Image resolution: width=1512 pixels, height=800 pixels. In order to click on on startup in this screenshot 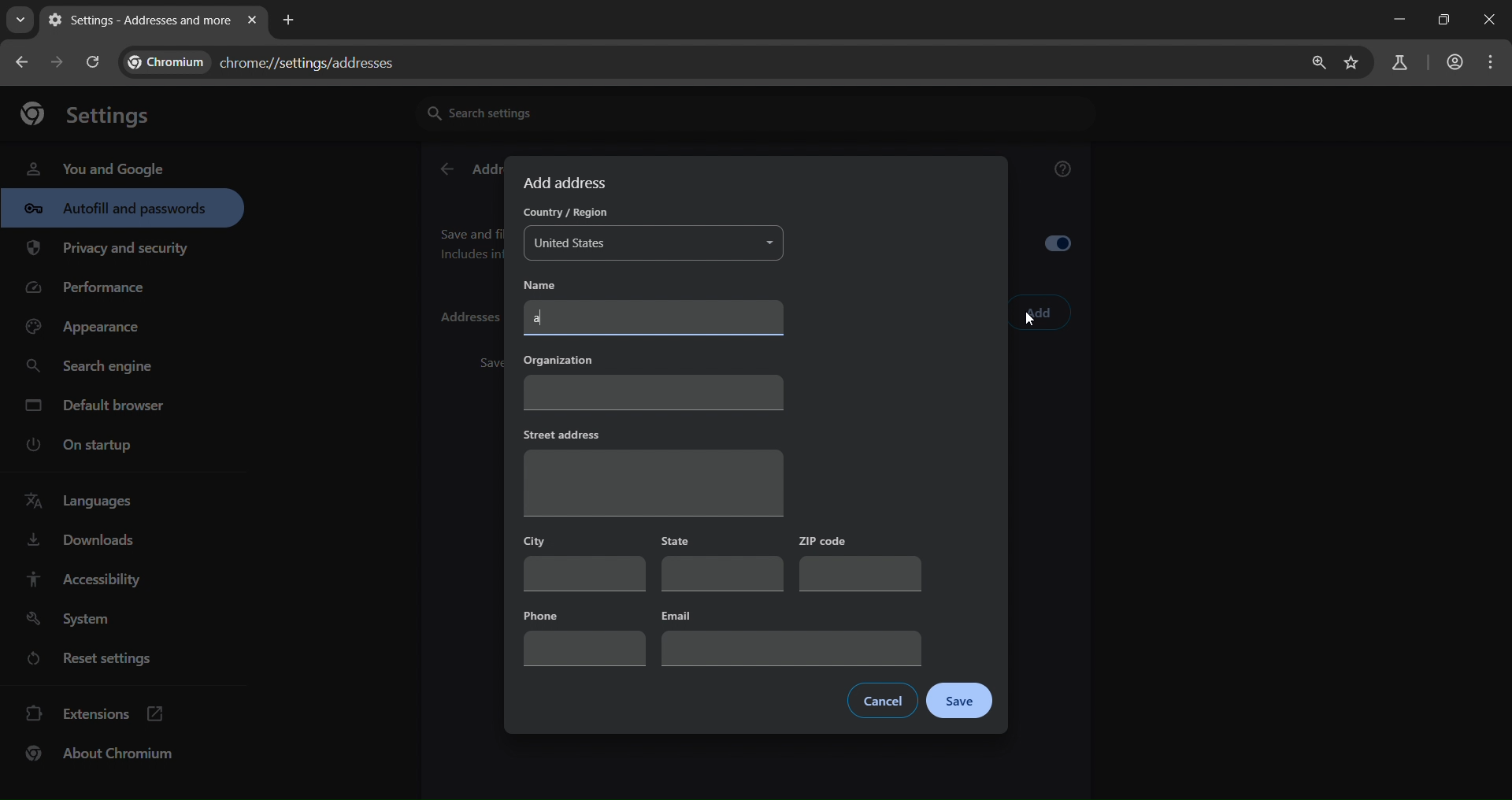, I will do `click(90, 446)`.